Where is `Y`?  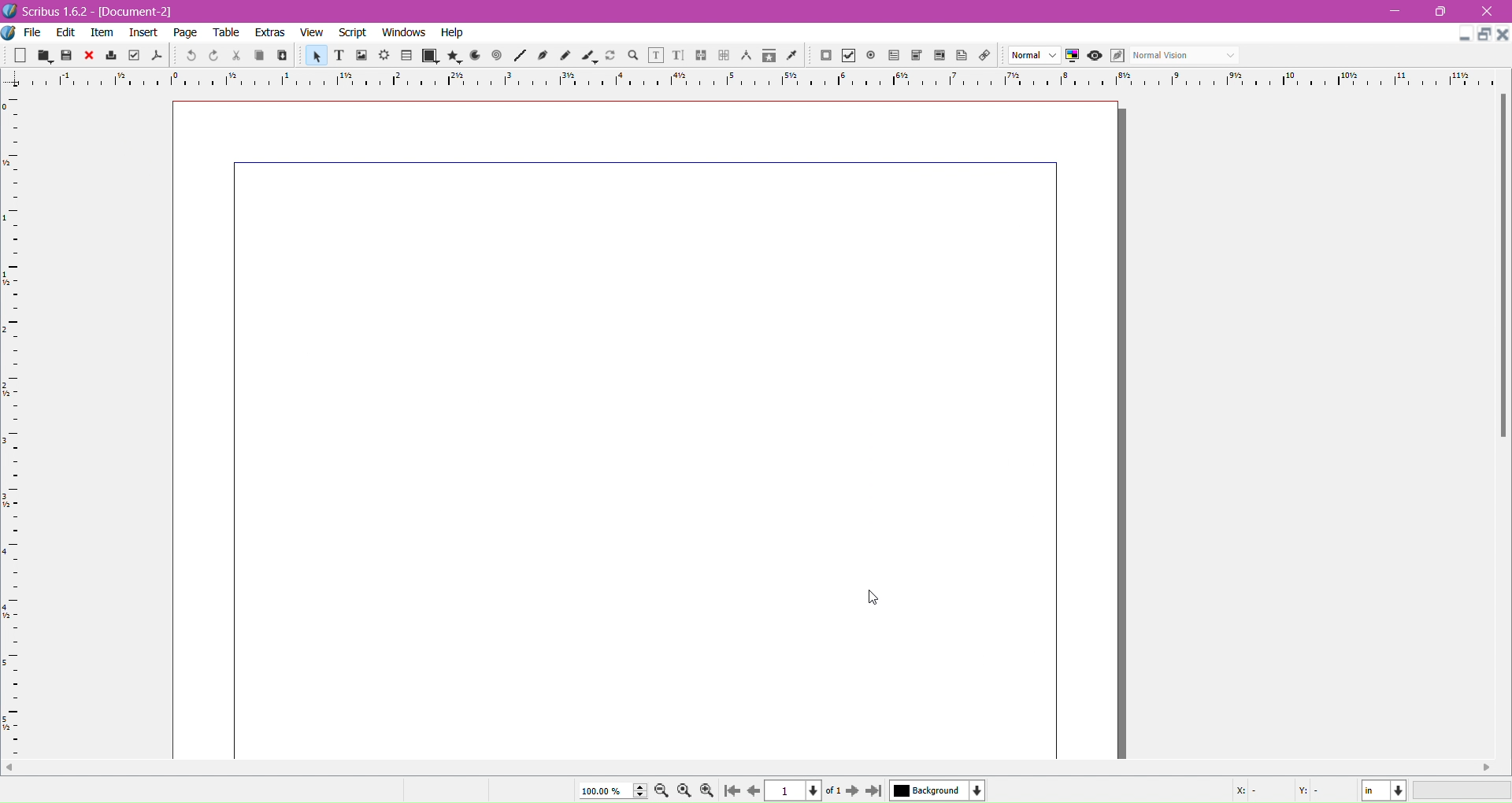 Y is located at coordinates (1312, 793).